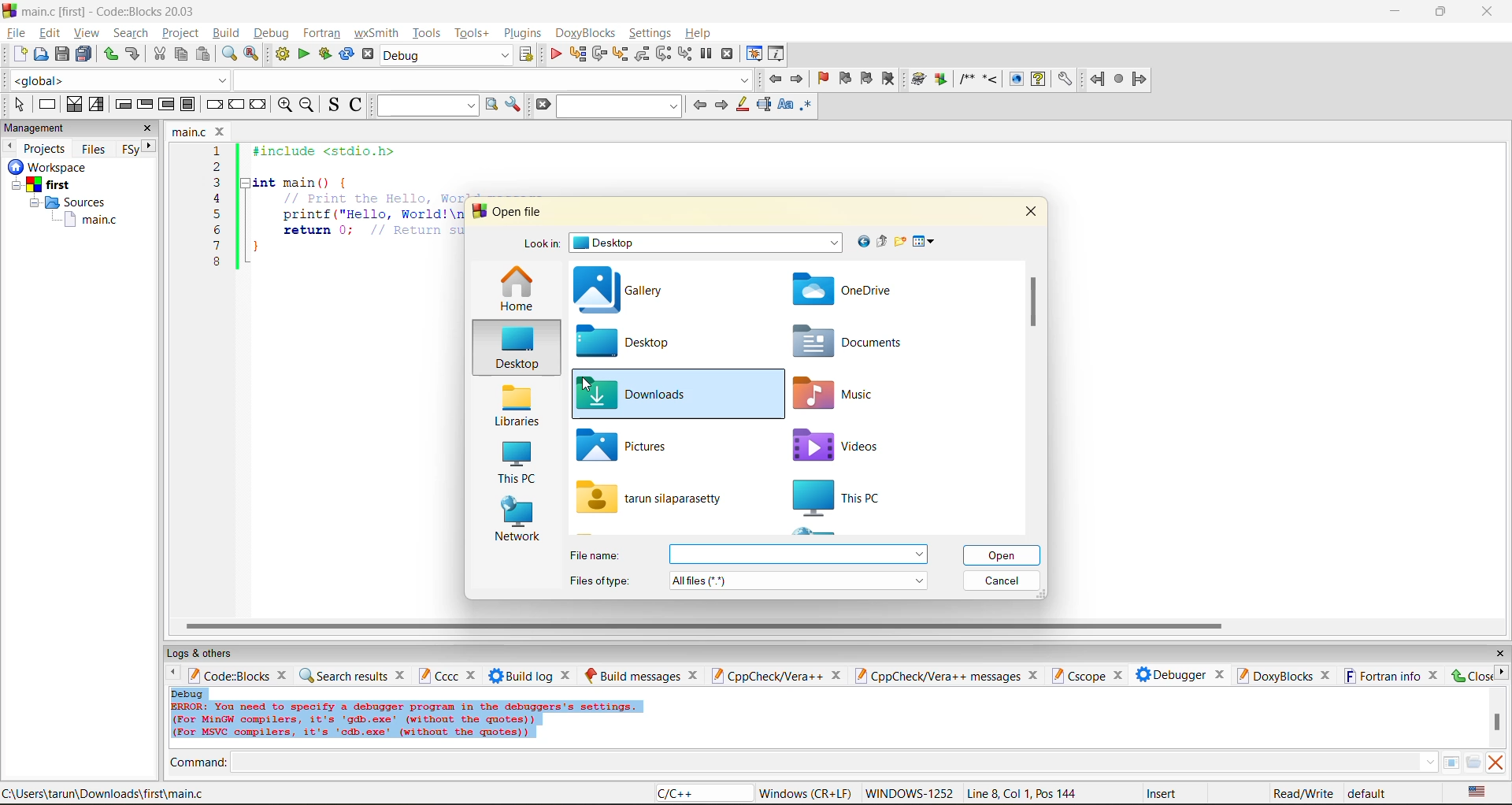  What do you see at coordinates (798, 555) in the screenshot?
I see `menu` at bounding box center [798, 555].